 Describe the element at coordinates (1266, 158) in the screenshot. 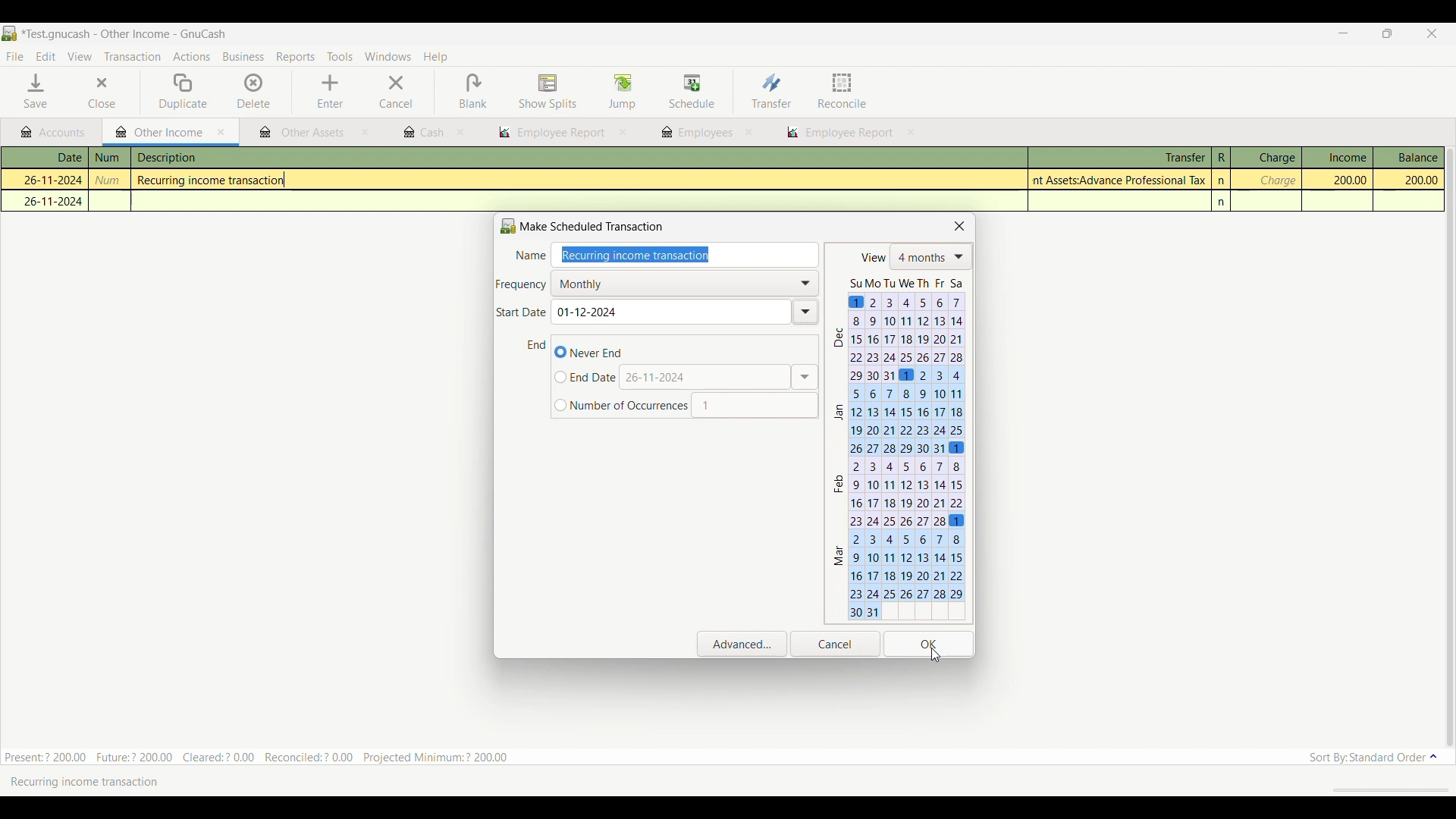

I see `Charge column` at that location.